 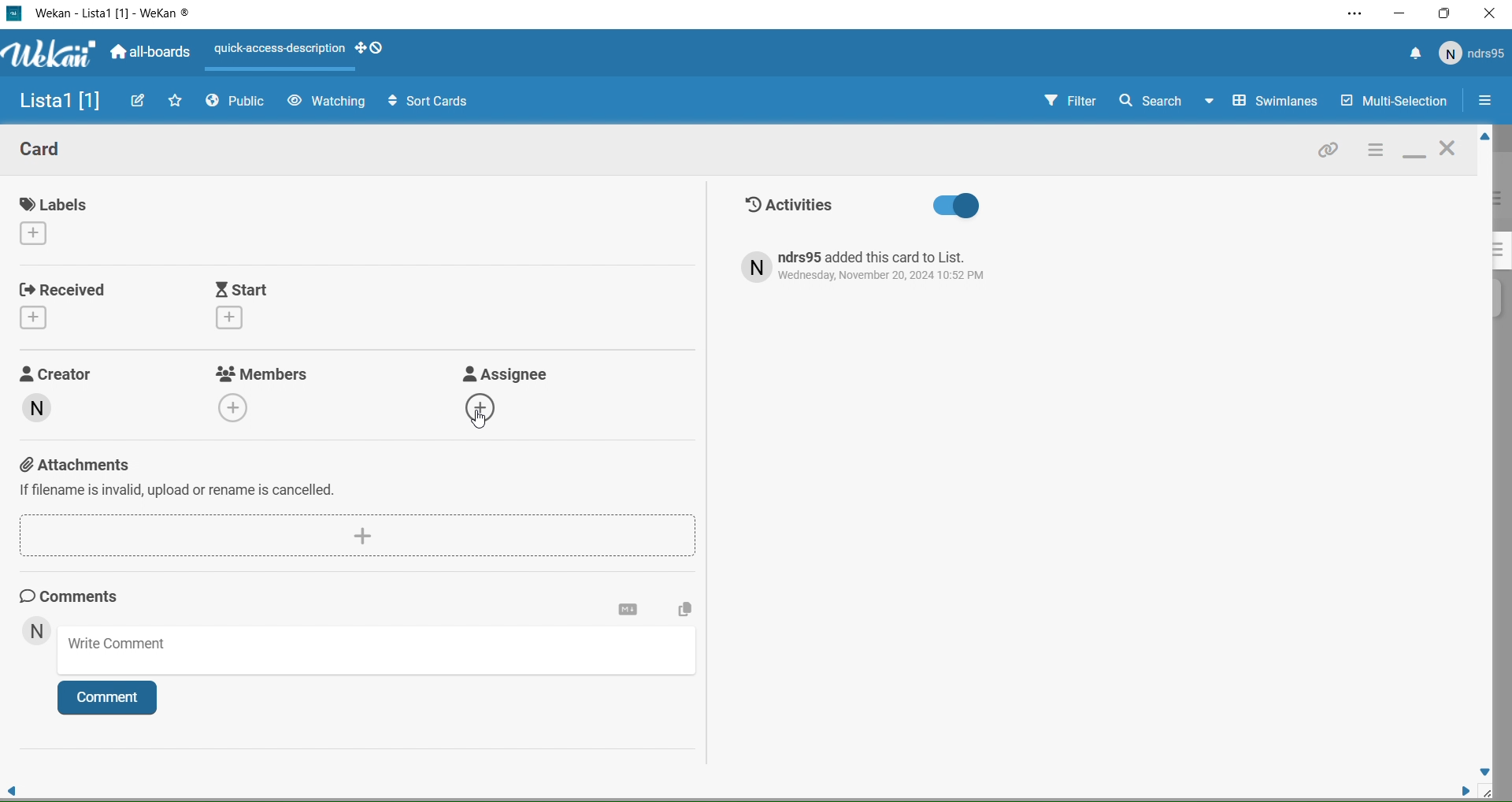 What do you see at coordinates (326, 102) in the screenshot?
I see `Watching` at bounding box center [326, 102].